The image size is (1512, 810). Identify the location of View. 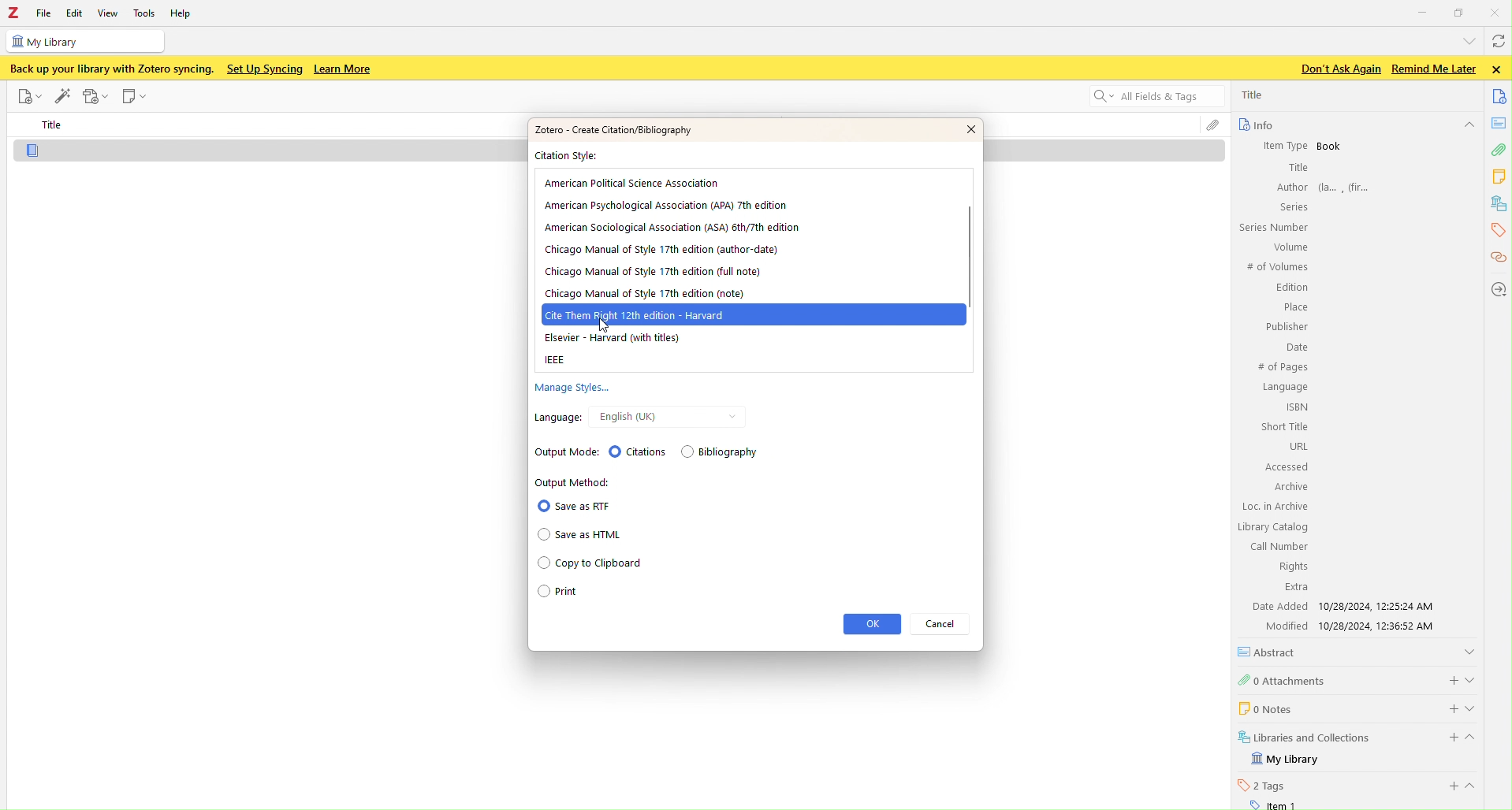
(110, 13).